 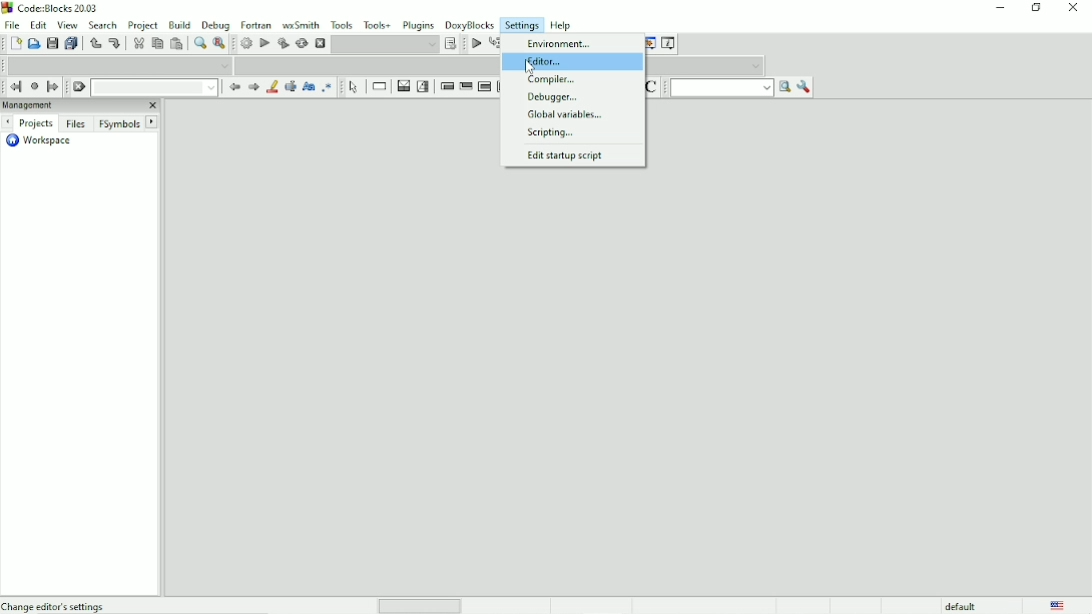 I want to click on Use regex, so click(x=331, y=87).